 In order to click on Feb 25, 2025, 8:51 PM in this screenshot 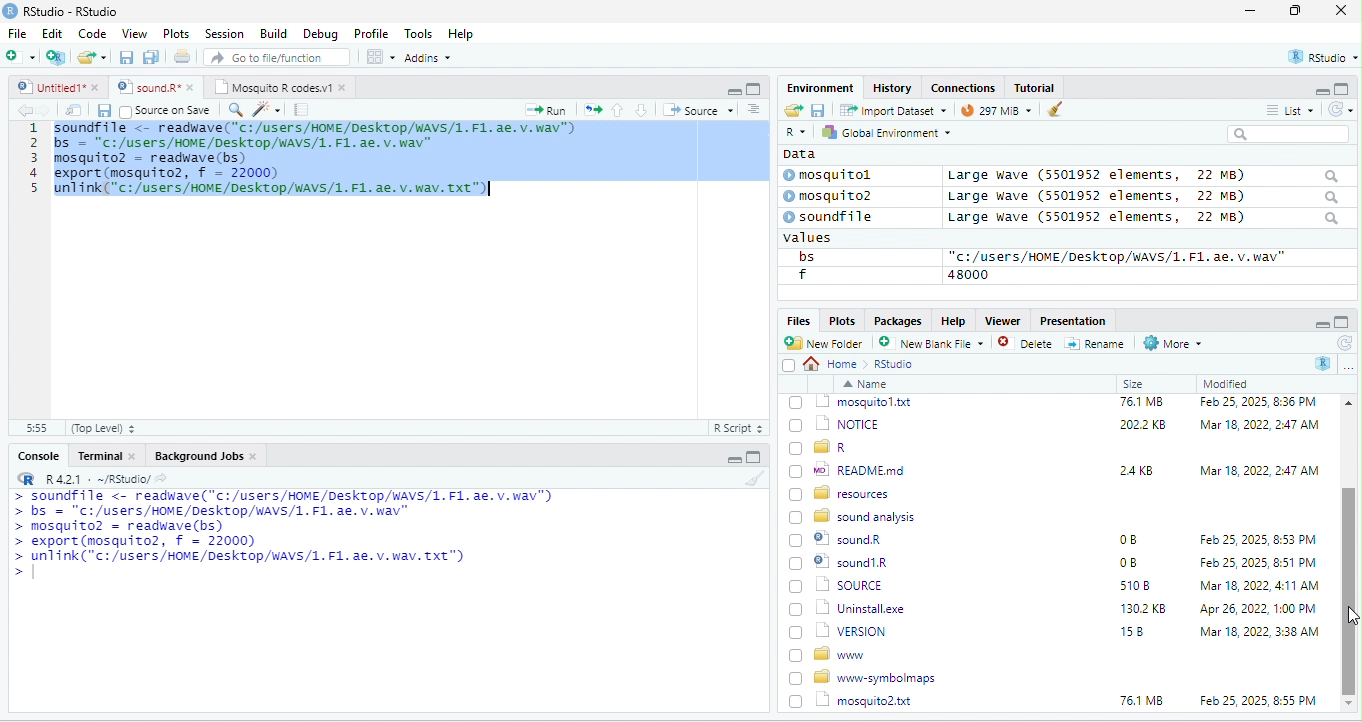, I will do `click(1259, 659)`.